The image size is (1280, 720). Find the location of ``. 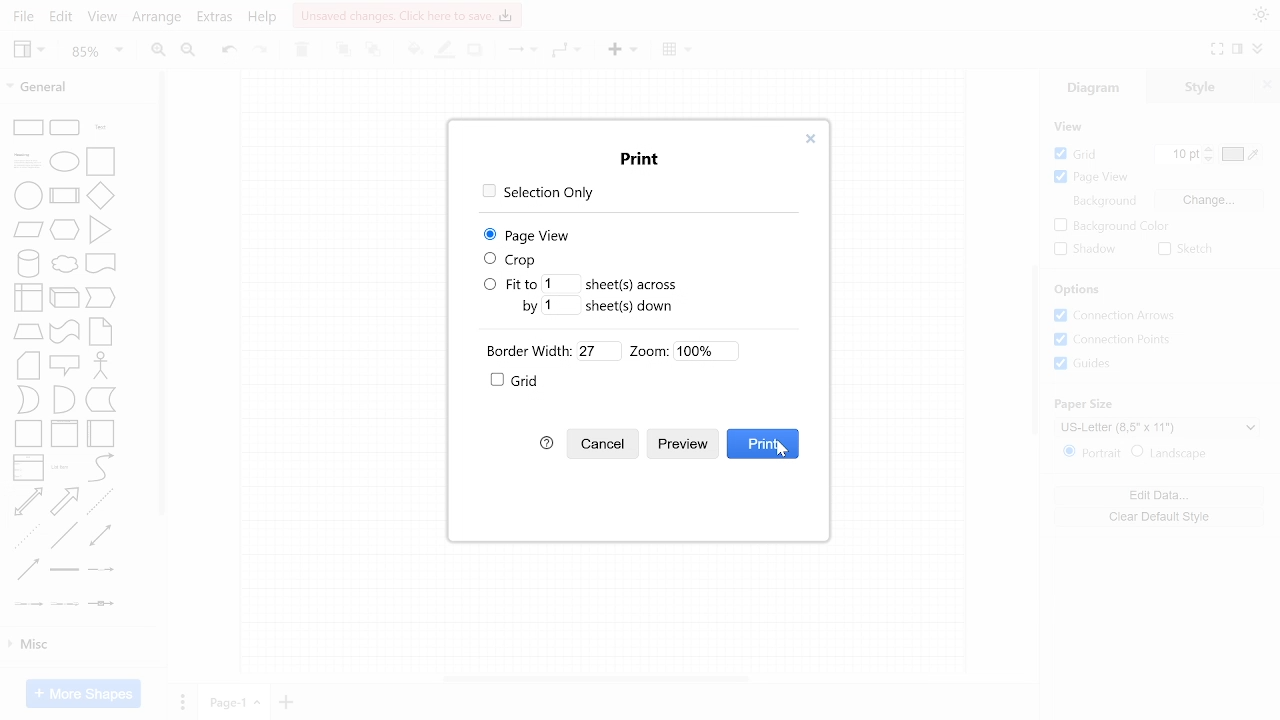

 is located at coordinates (567, 51).